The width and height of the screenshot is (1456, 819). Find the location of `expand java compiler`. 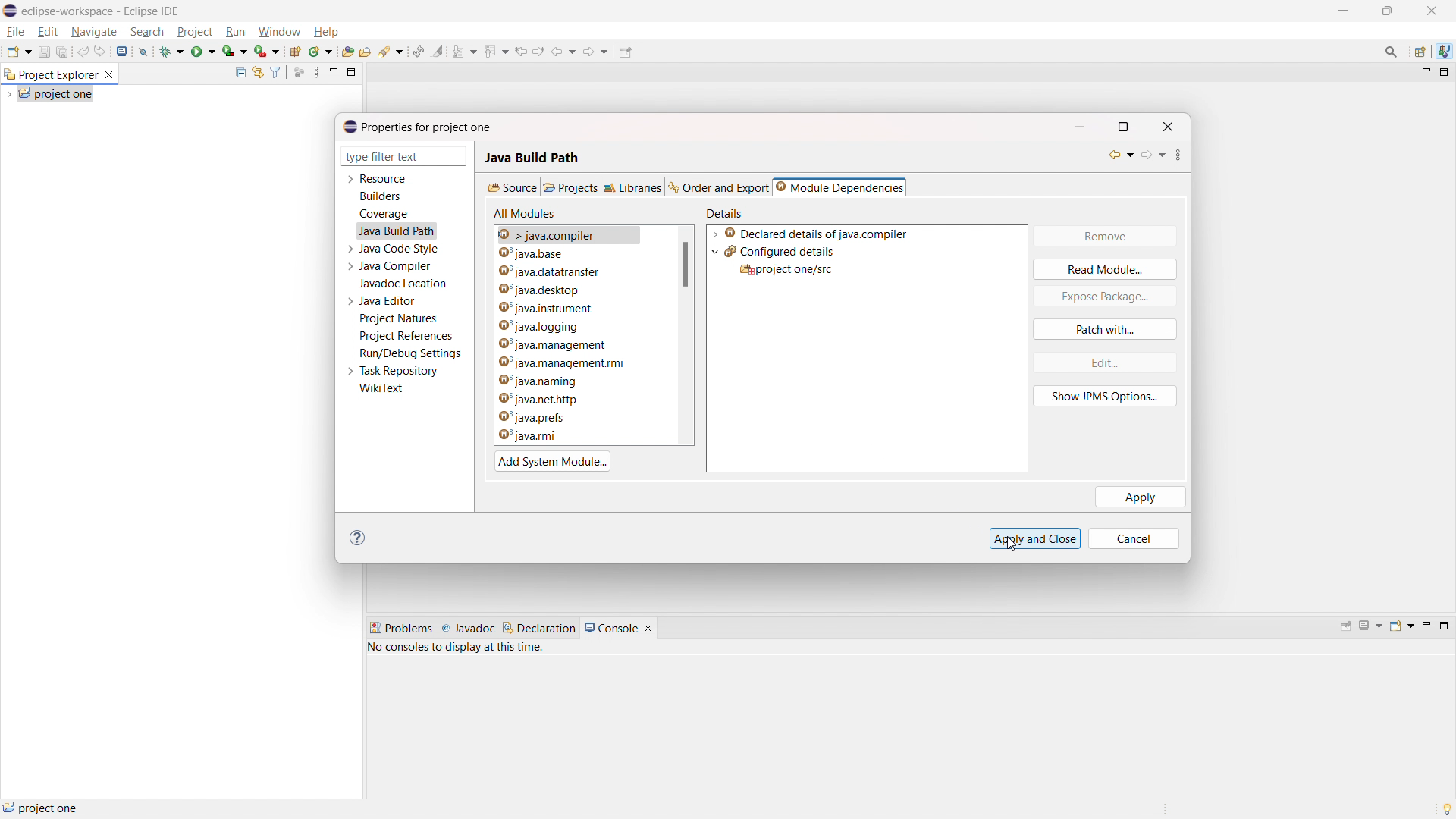

expand java compiler is located at coordinates (350, 266).